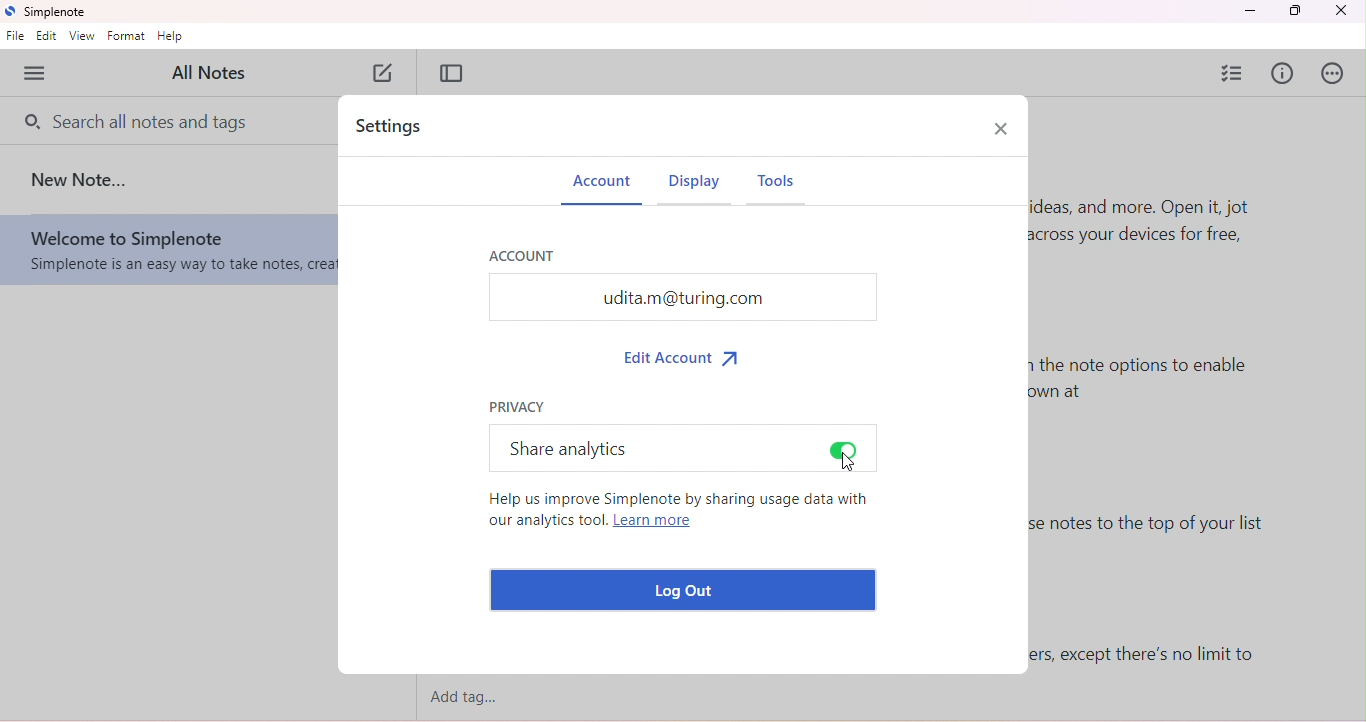  I want to click on email id, so click(682, 297).